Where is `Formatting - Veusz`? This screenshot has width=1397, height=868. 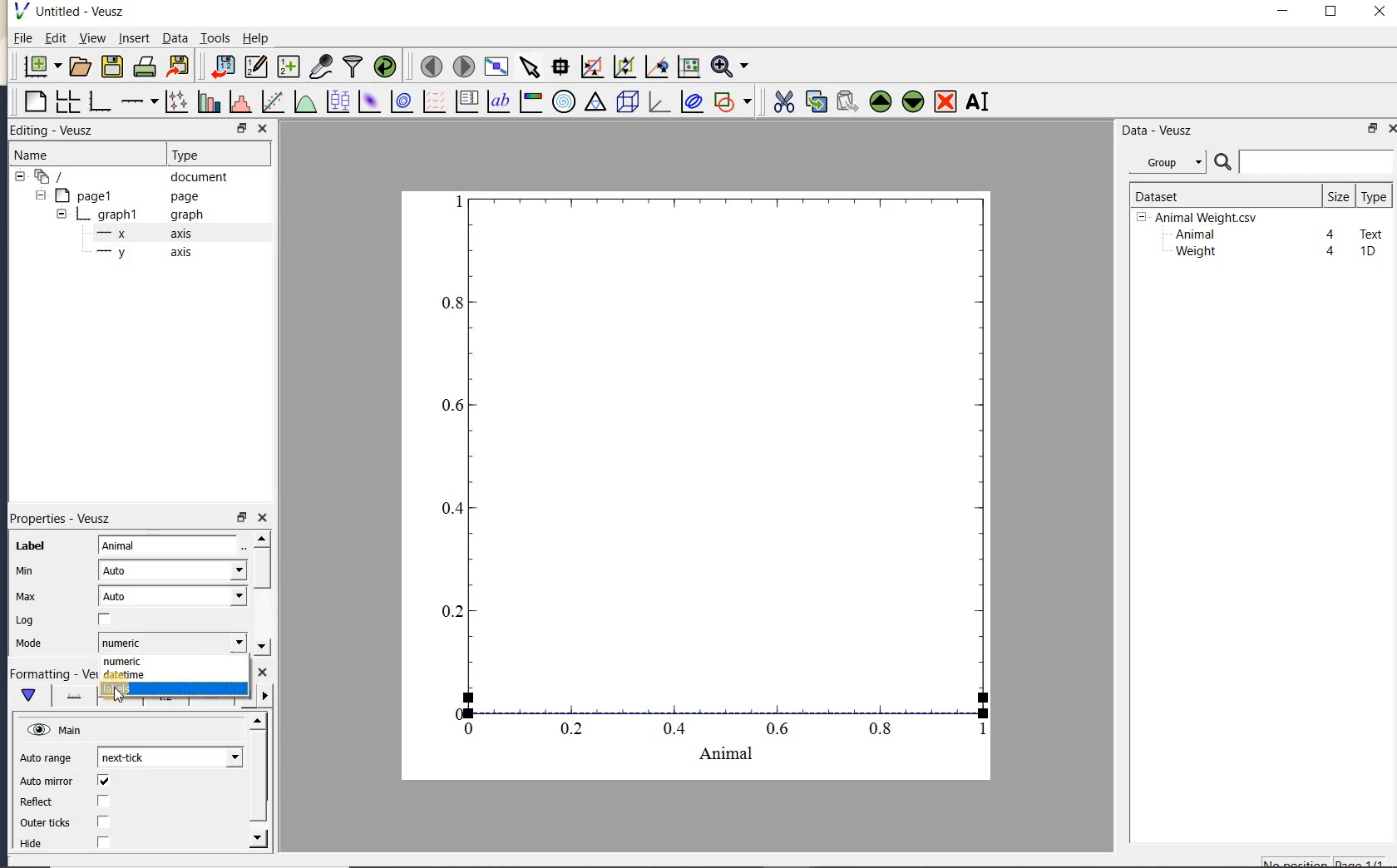
Formatting - Veusz is located at coordinates (51, 674).